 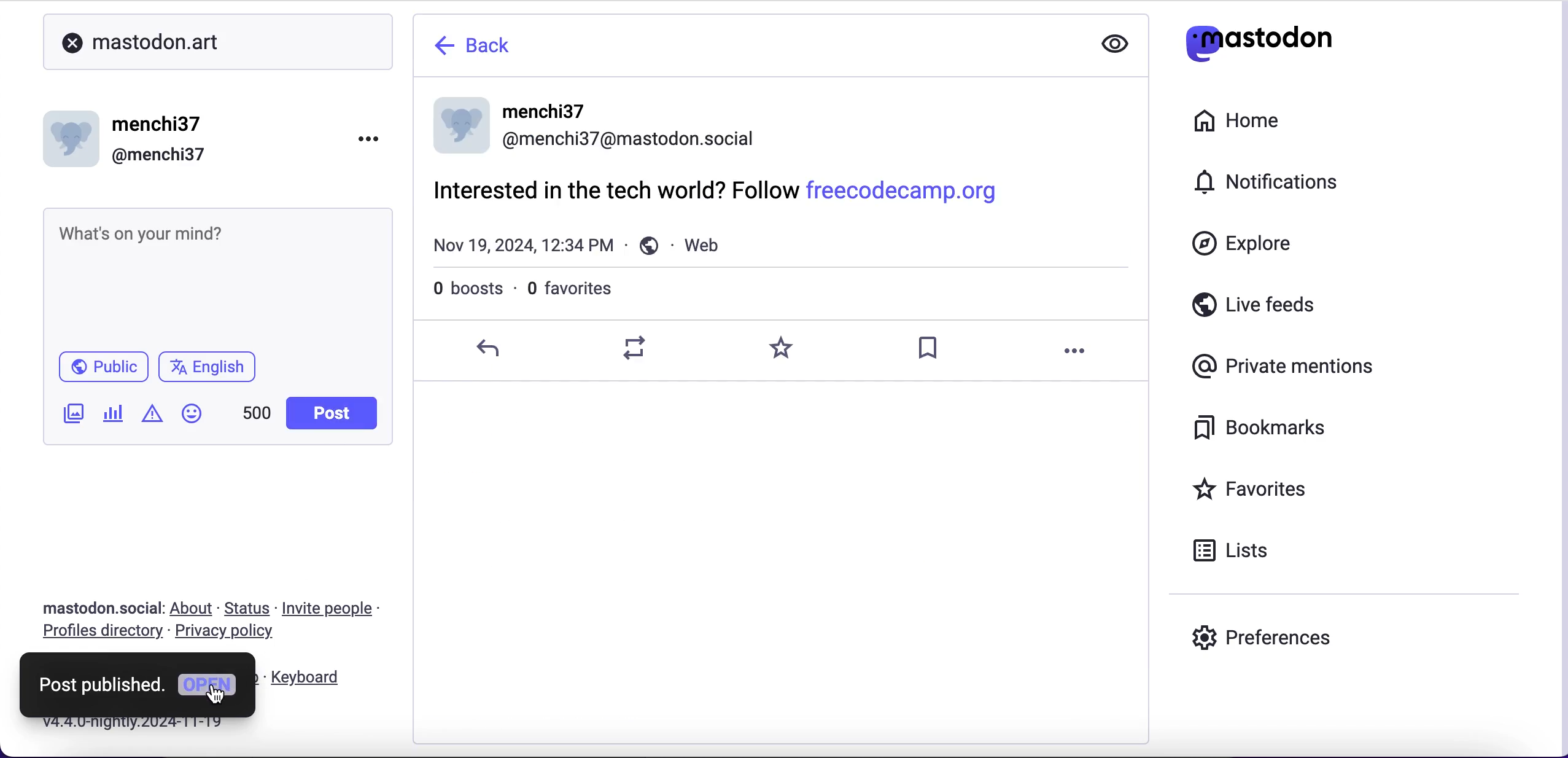 What do you see at coordinates (1254, 310) in the screenshot?
I see `live feeds` at bounding box center [1254, 310].